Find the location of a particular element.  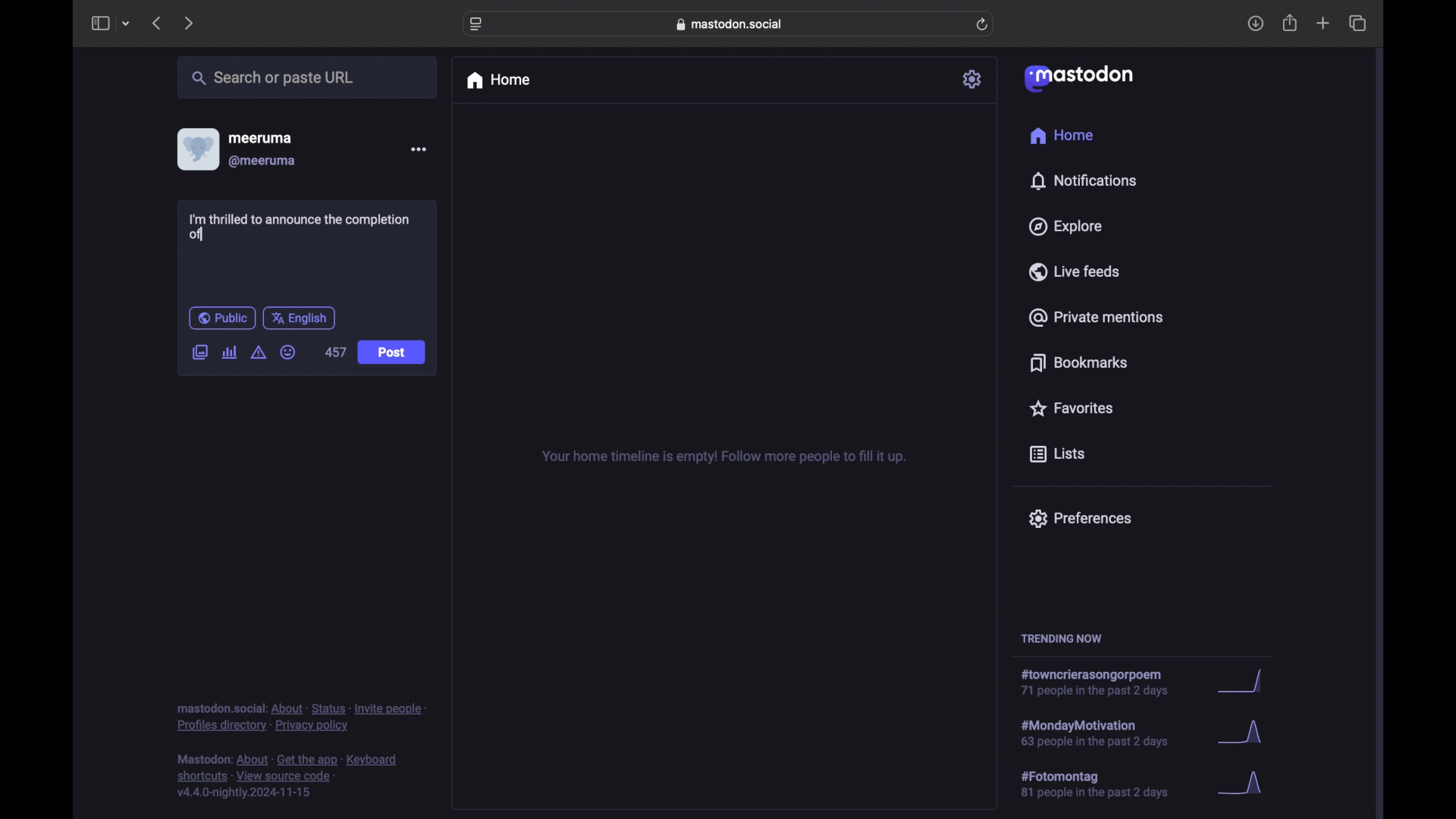

private mentions is located at coordinates (1095, 317).